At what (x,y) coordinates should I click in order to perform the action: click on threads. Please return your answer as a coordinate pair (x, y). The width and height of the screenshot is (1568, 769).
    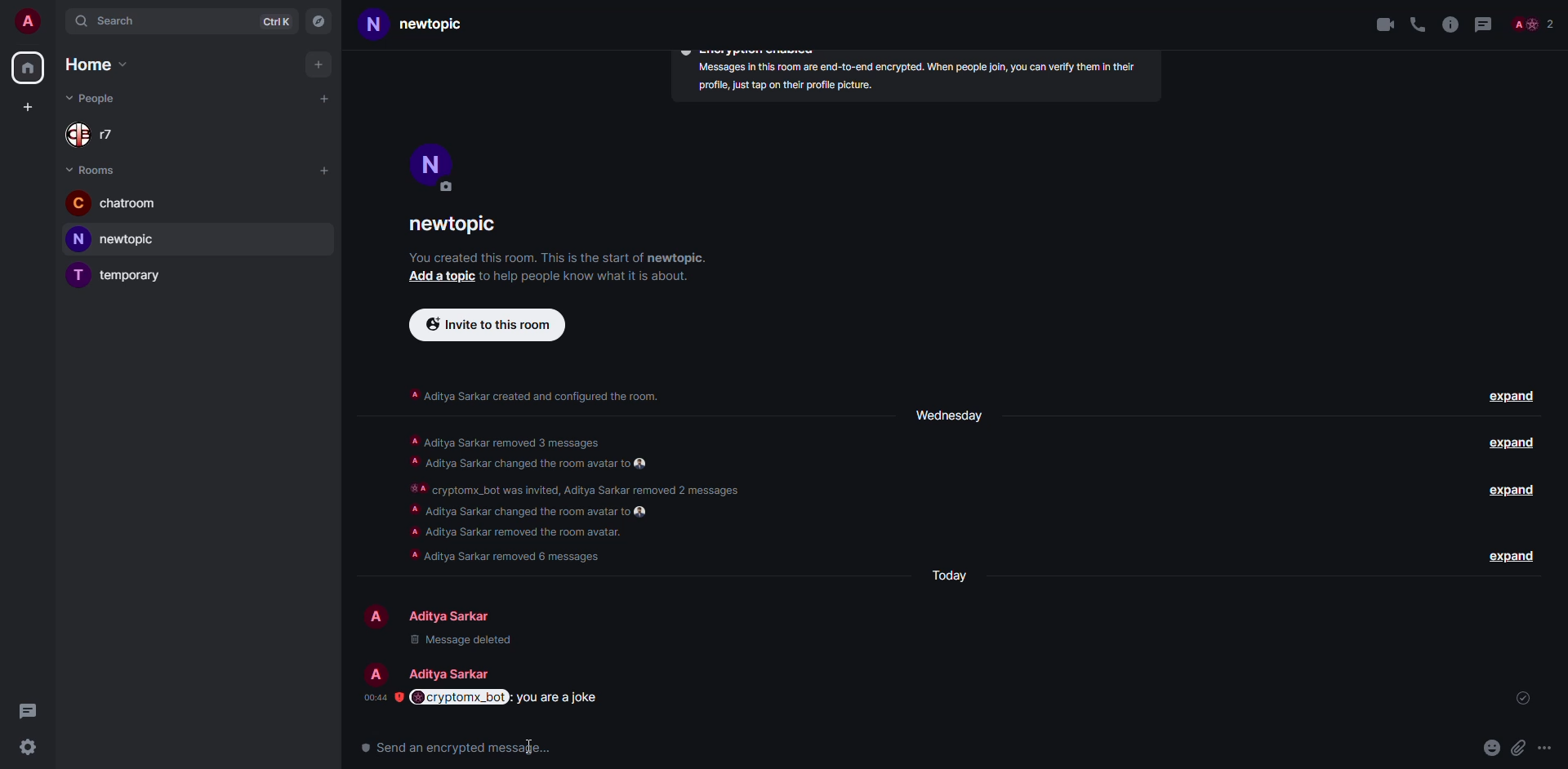
    Looking at the image, I should click on (27, 709).